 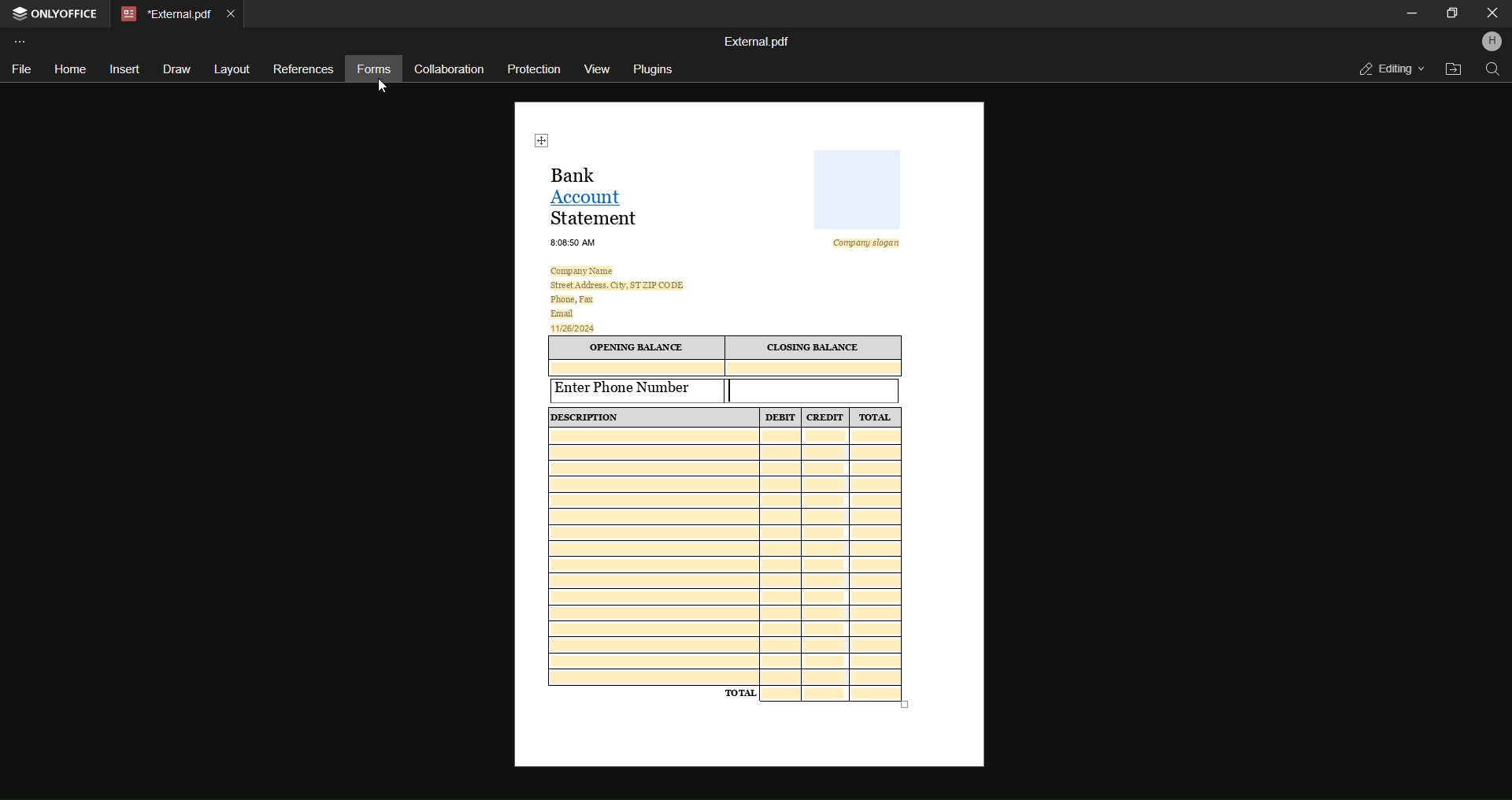 I want to click on editing, so click(x=1387, y=69).